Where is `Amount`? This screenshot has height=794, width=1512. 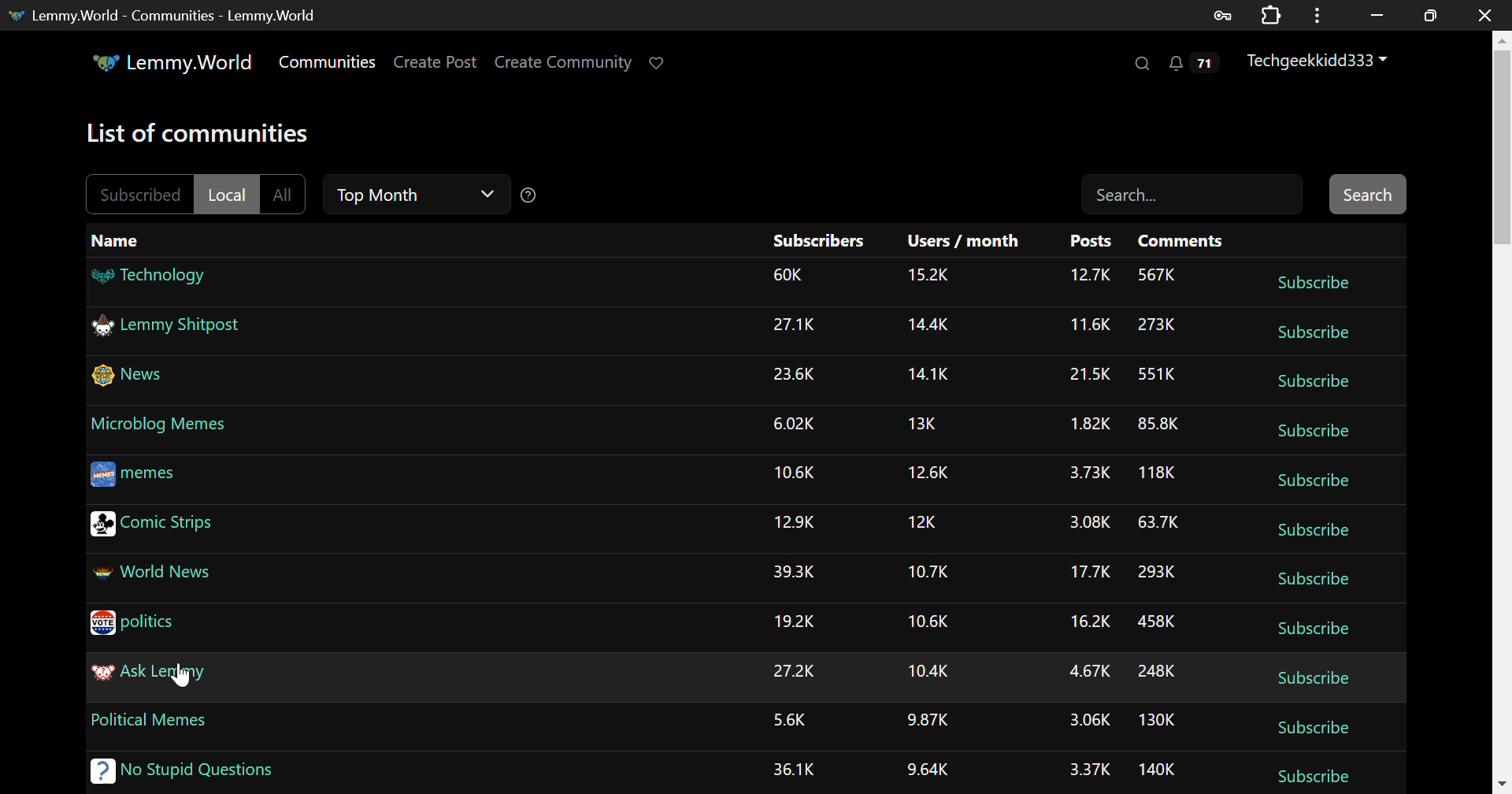 Amount is located at coordinates (791, 771).